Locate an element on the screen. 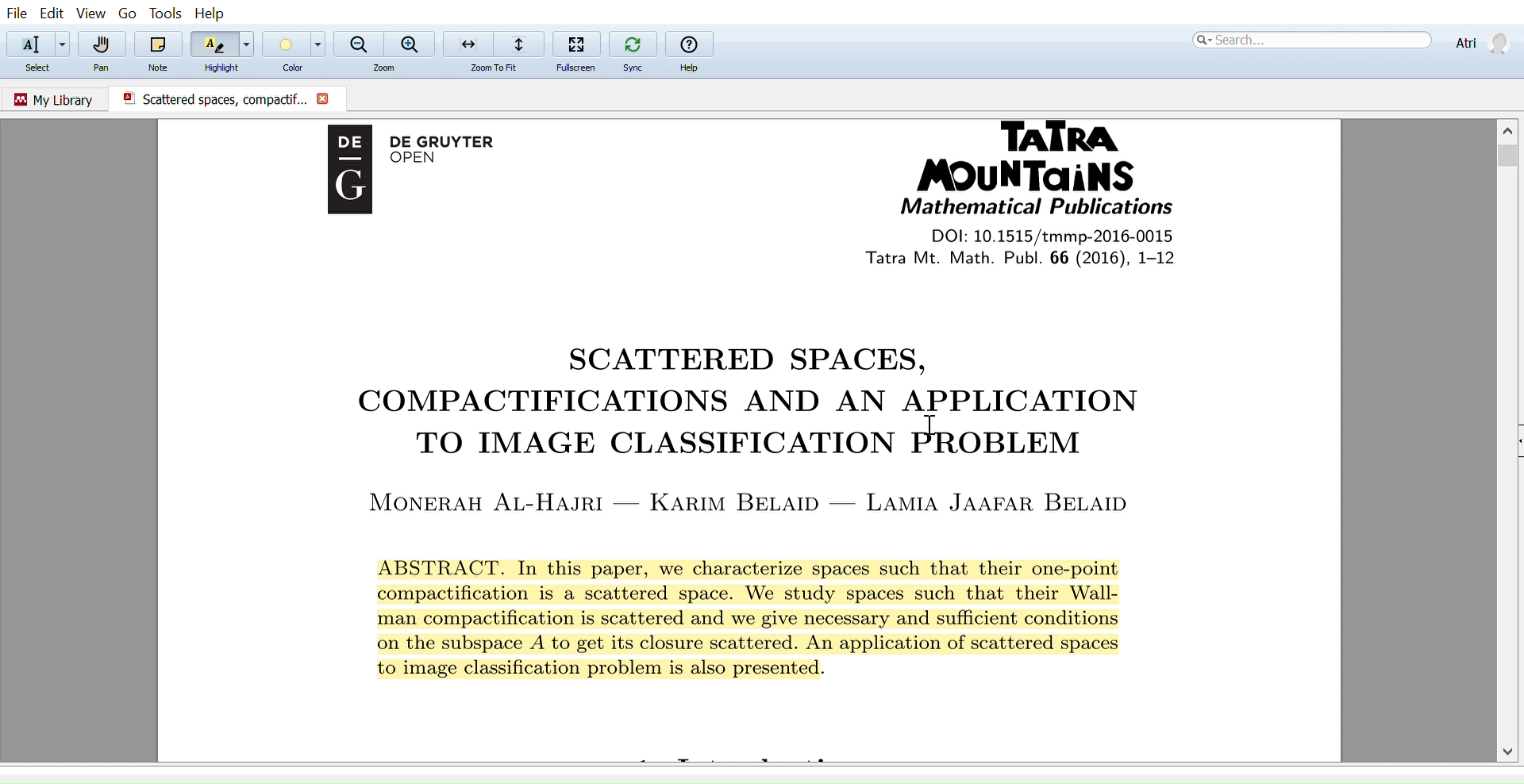 Image resolution: width=1524 pixels, height=784 pixels. Color options is located at coordinates (320, 44).